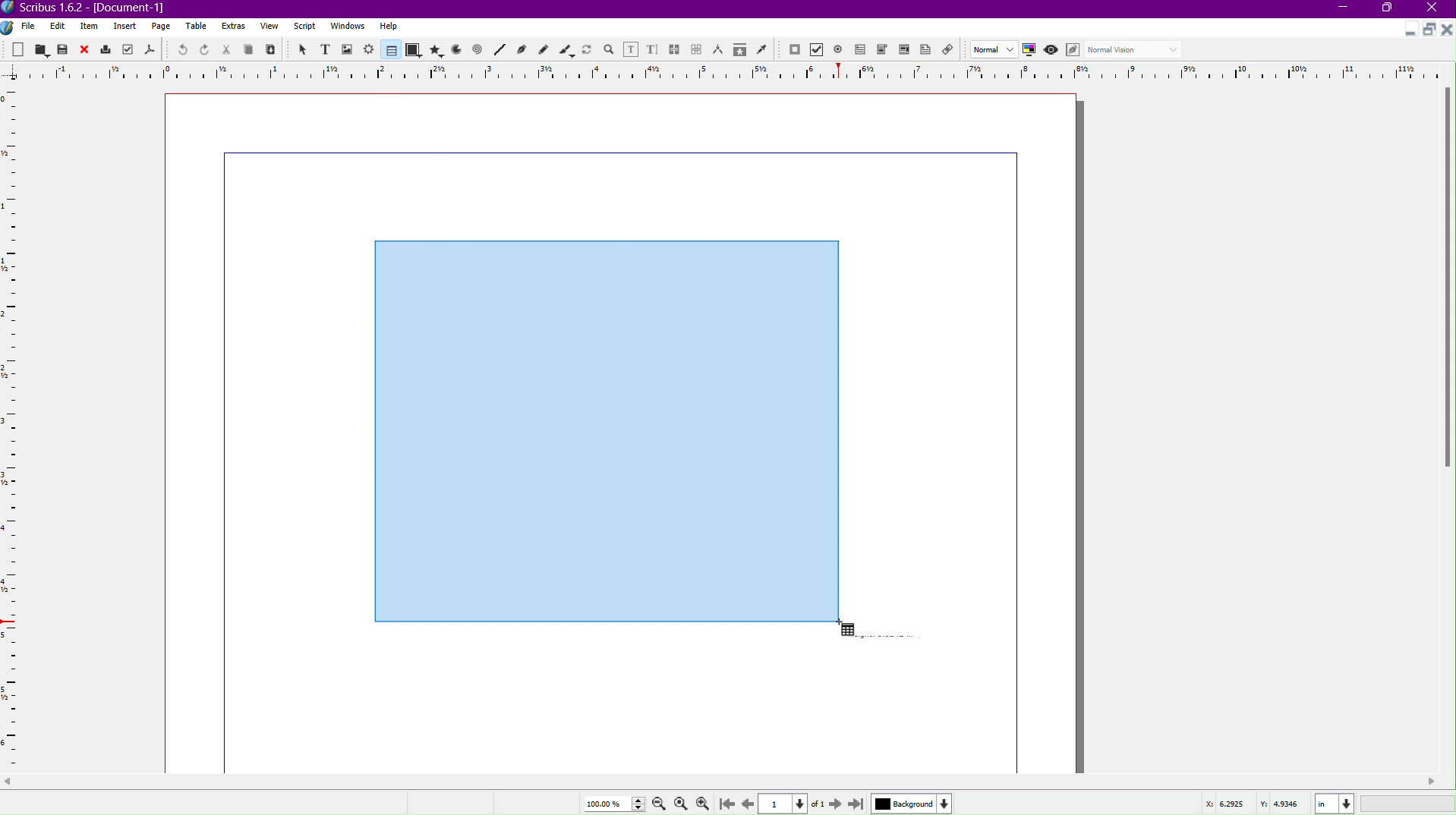  Describe the element at coordinates (656, 804) in the screenshot. I see `Zoom Out` at that location.